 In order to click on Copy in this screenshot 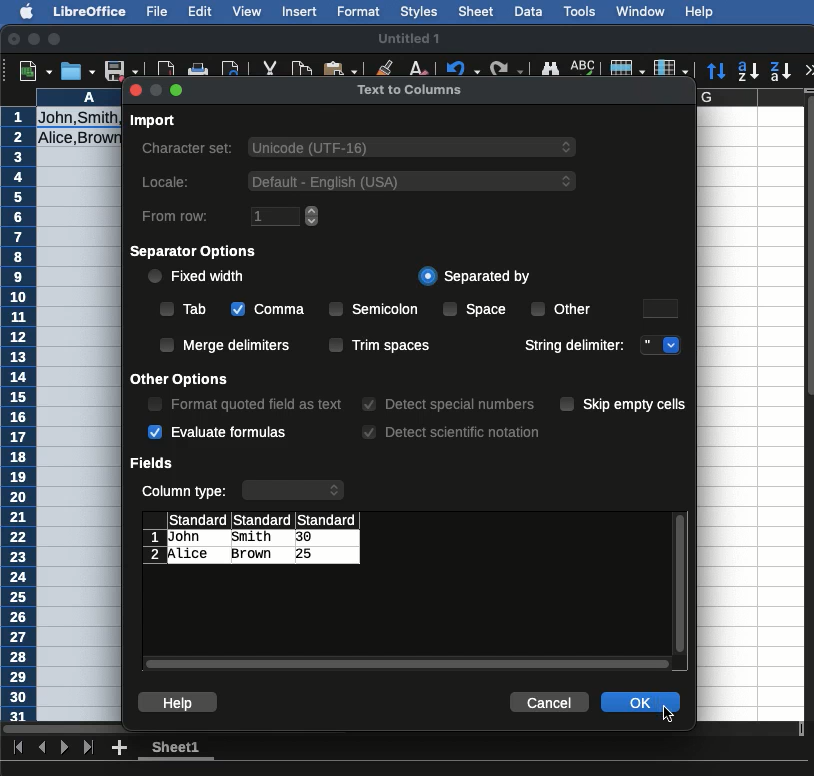, I will do `click(305, 69)`.